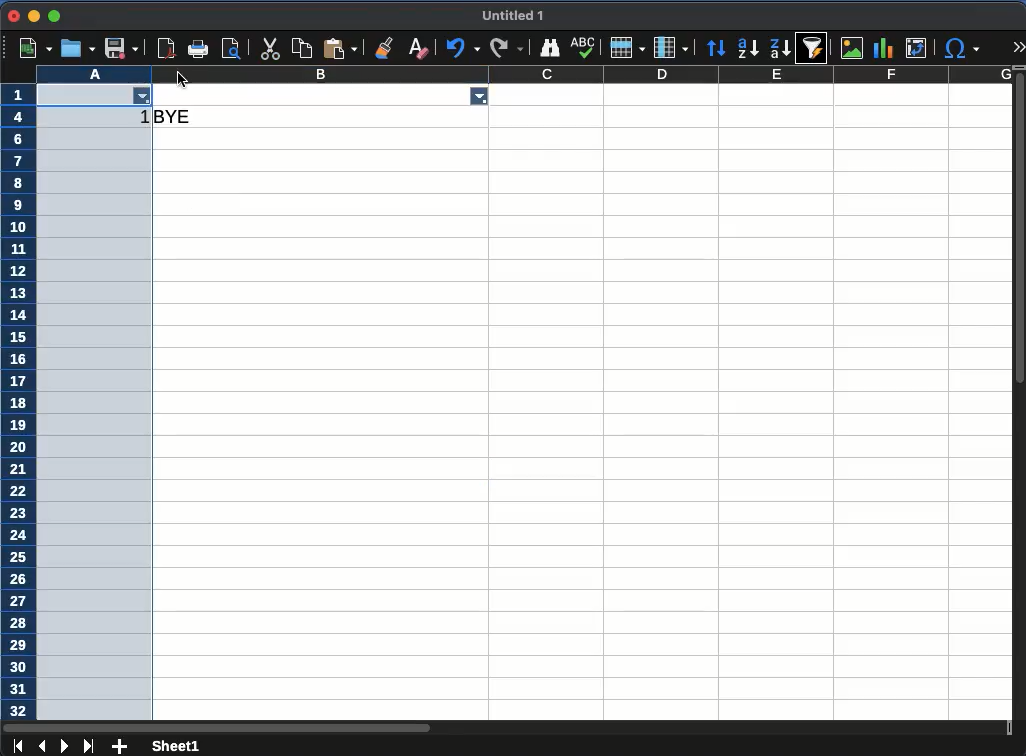 The image size is (1026, 756). Describe the element at coordinates (670, 48) in the screenshot. I see `column` at that location.